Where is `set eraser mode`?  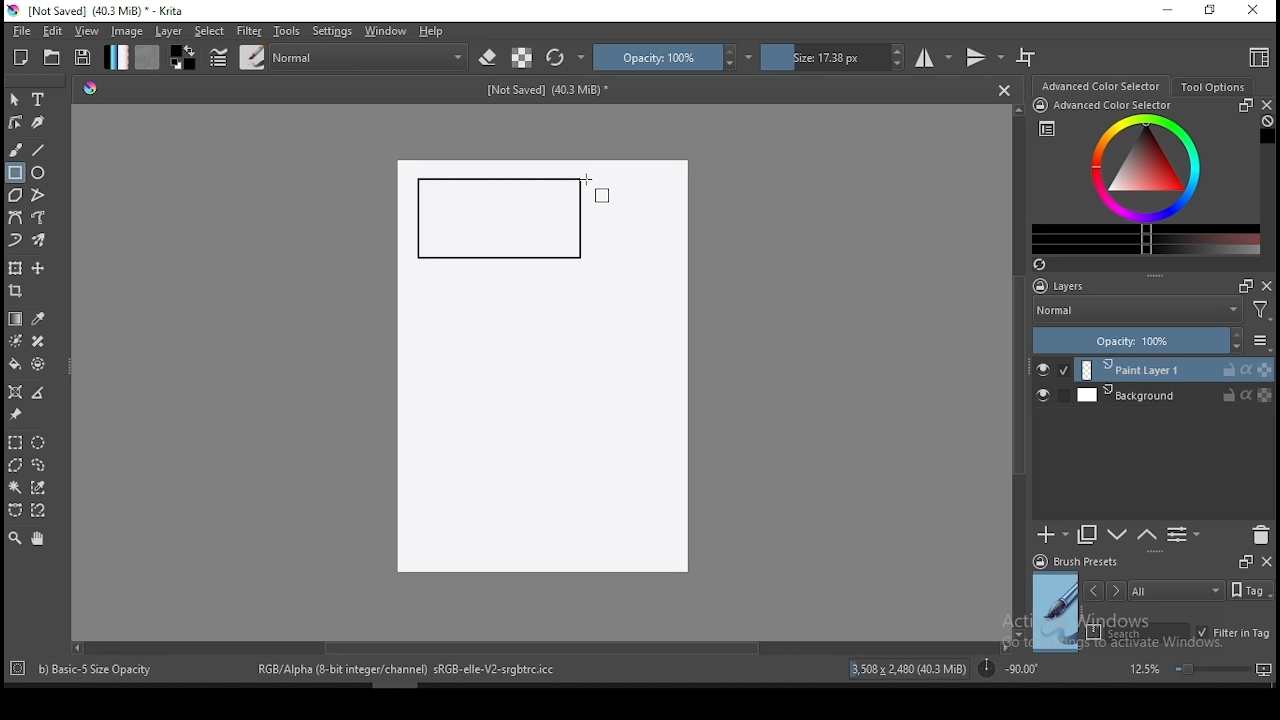 set eraser mode is located at coordinates (490, 58).